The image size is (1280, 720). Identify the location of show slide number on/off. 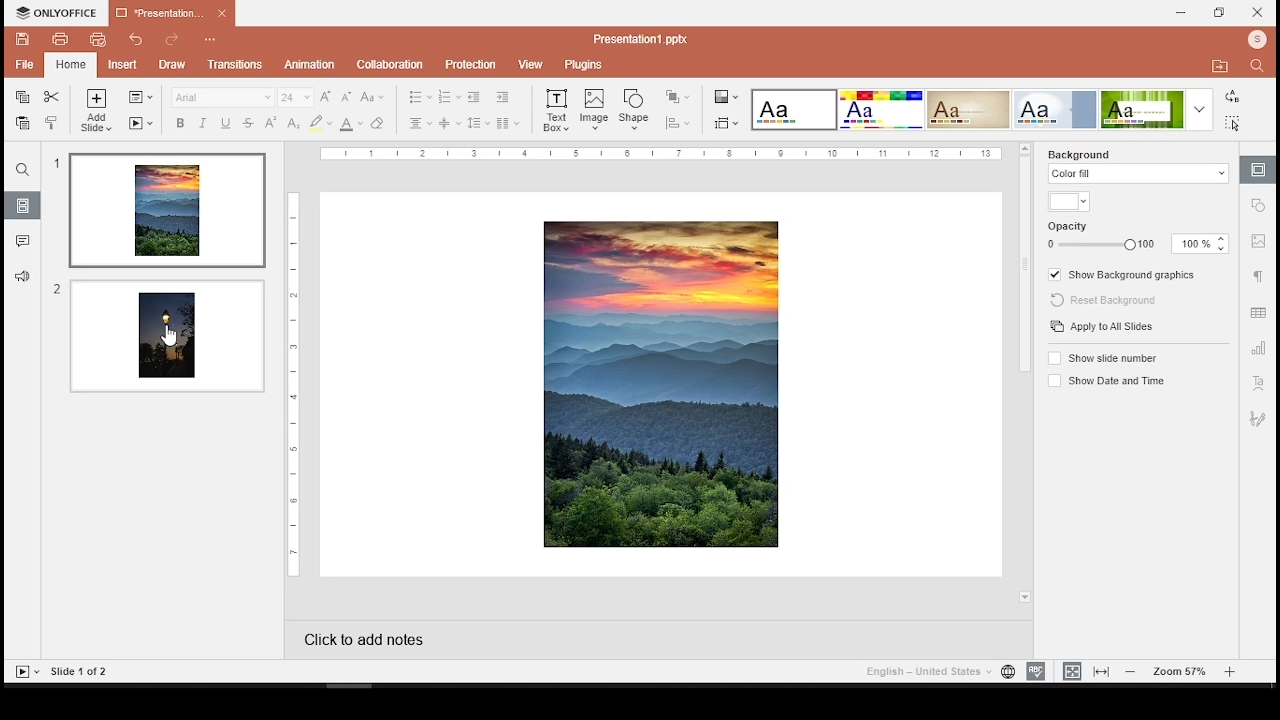
(1102, 357).